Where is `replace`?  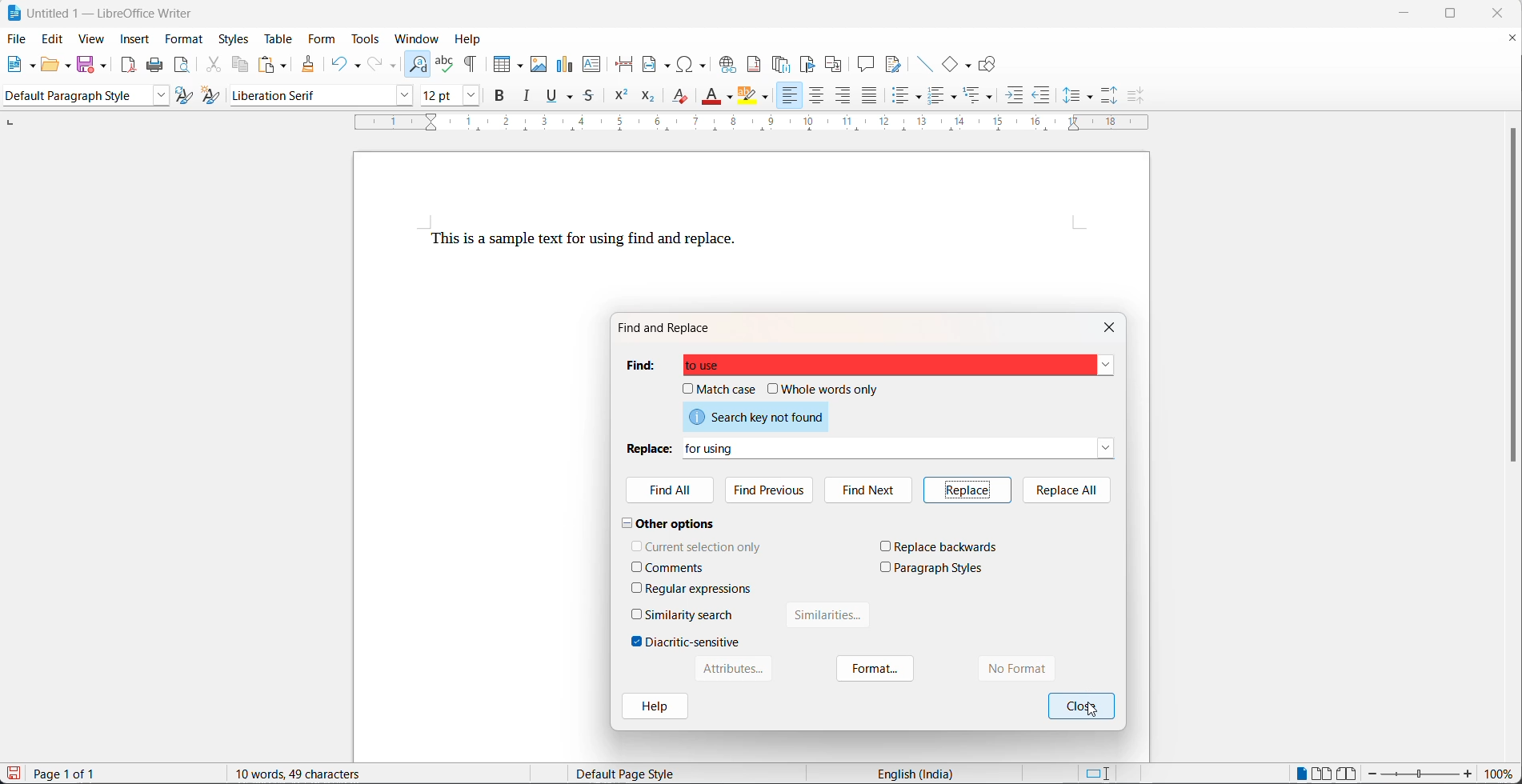 replace is located at coordinates (969, 489).